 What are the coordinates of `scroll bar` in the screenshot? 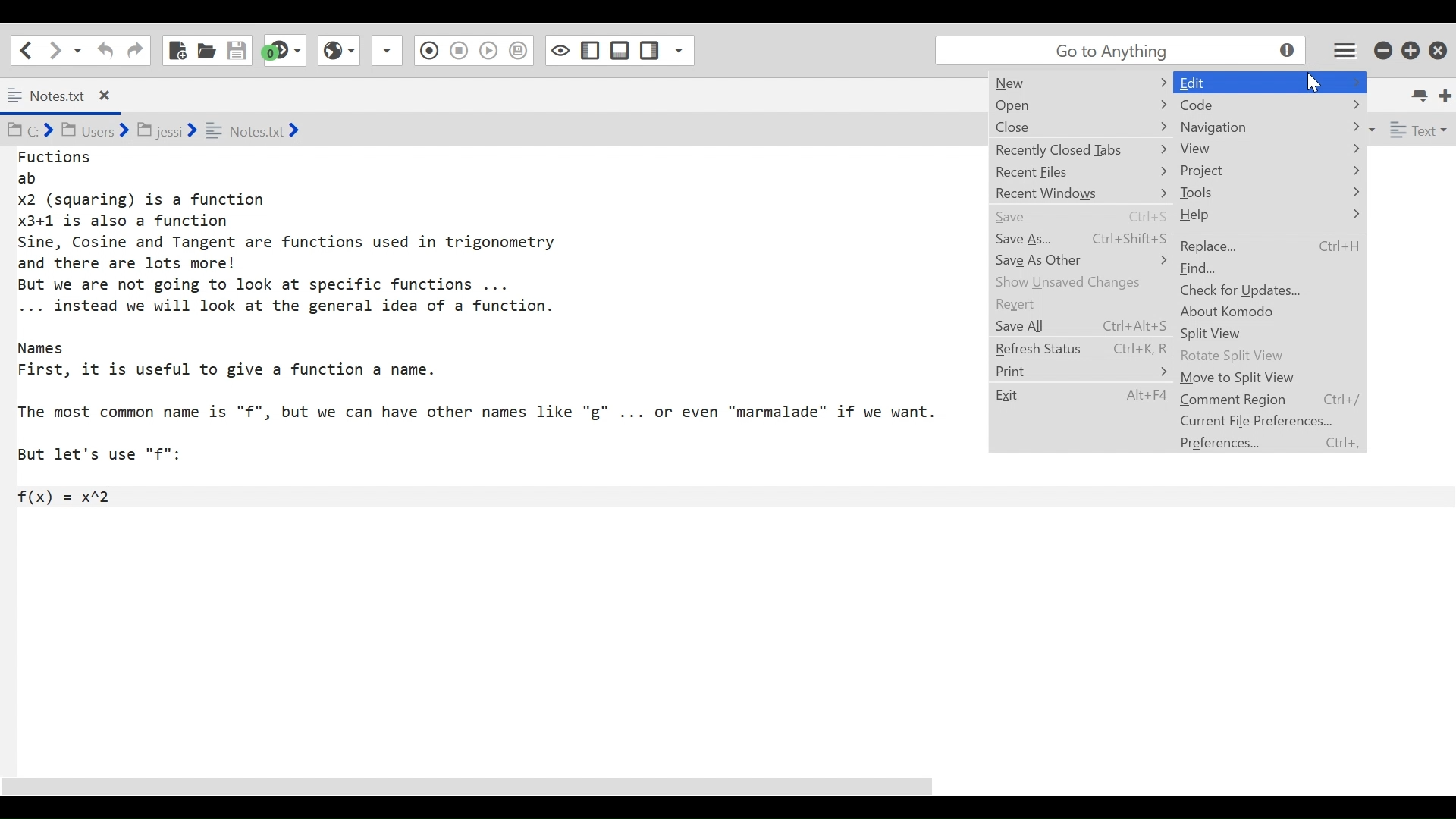 It's located at (486, 786).